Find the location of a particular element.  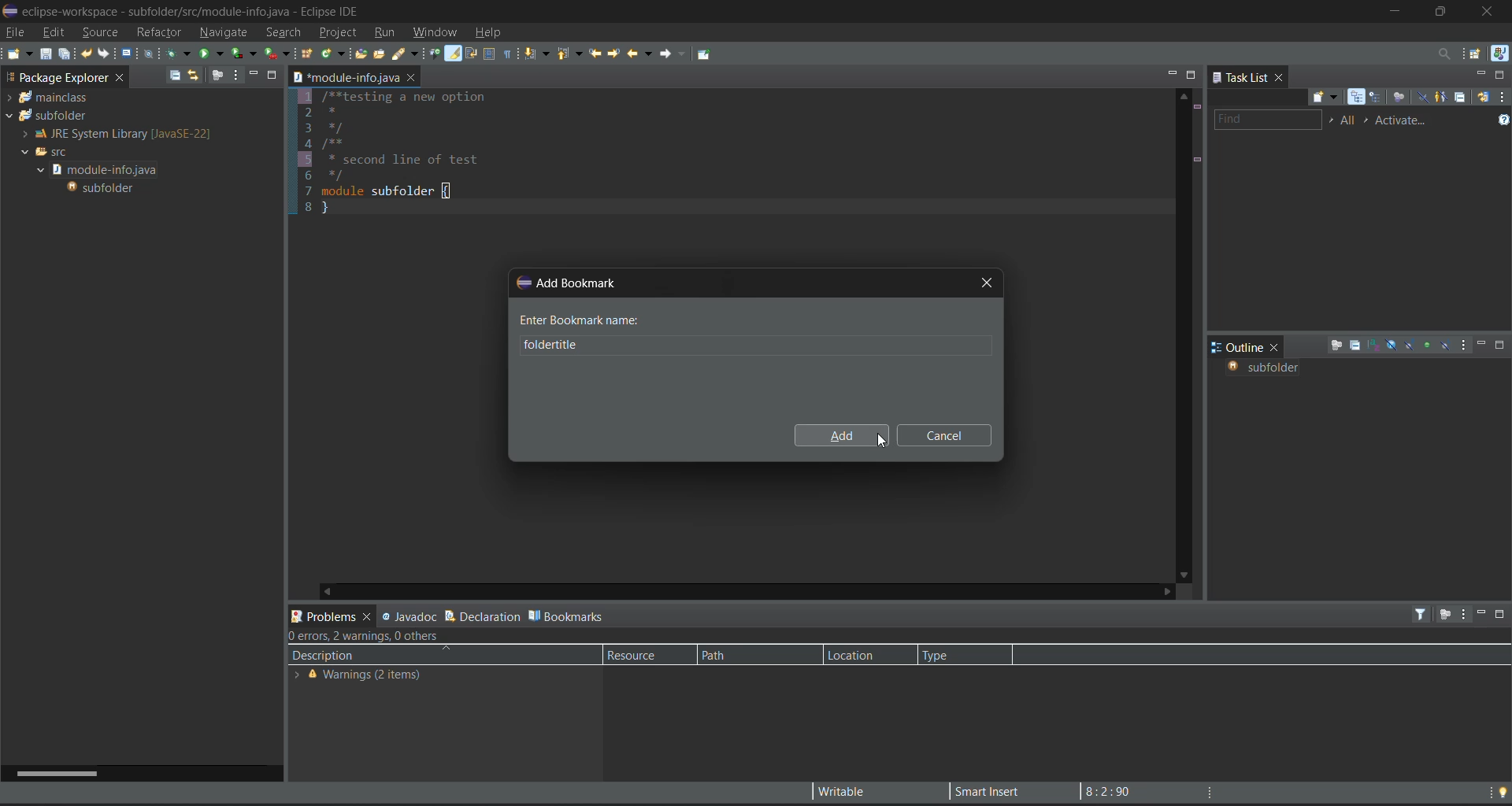

problems is located at coordinates (332, 615).